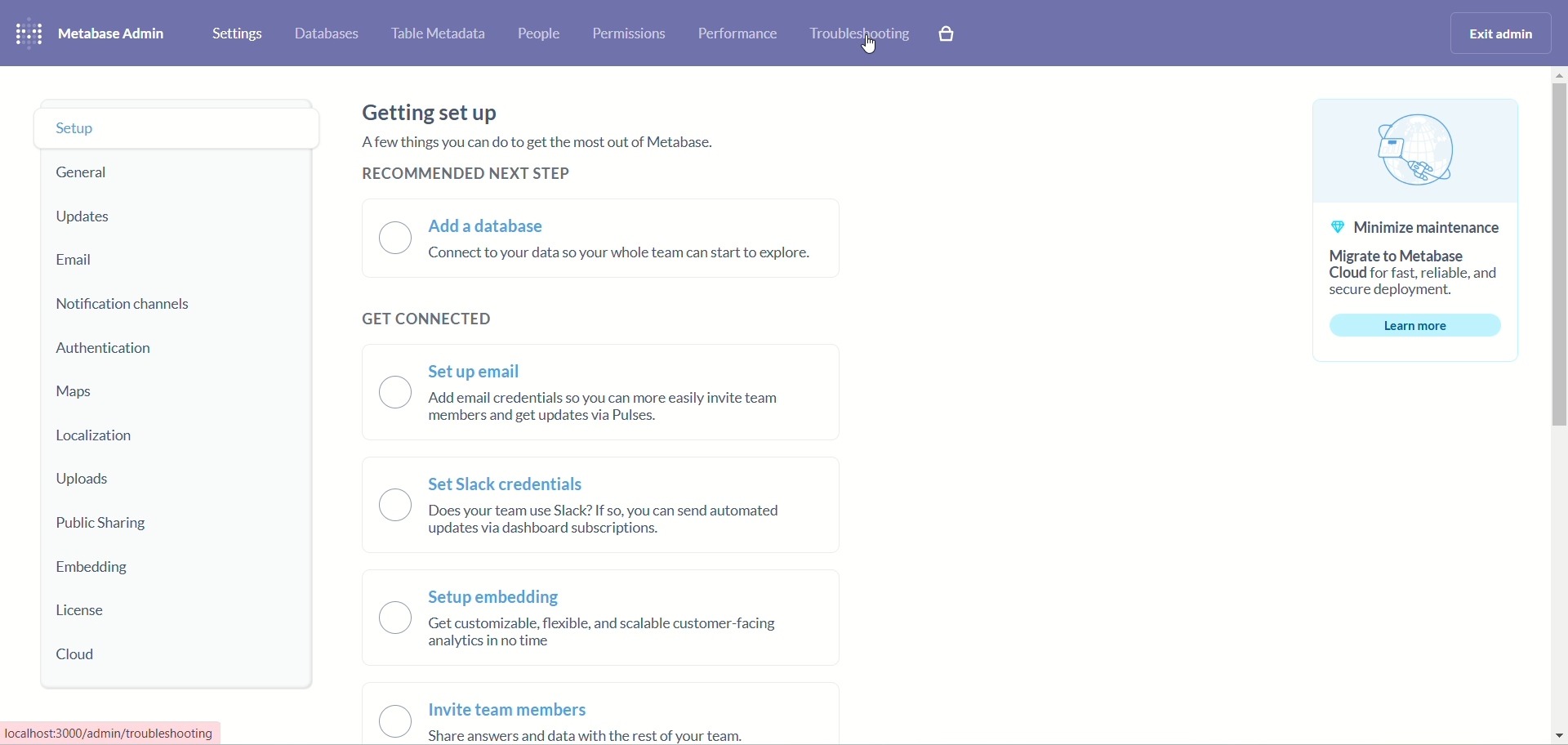 This screenshot has width=1568, height=745. Describe the element at coordinates (738, 36) in the screenshot. I see `performance` at that location.